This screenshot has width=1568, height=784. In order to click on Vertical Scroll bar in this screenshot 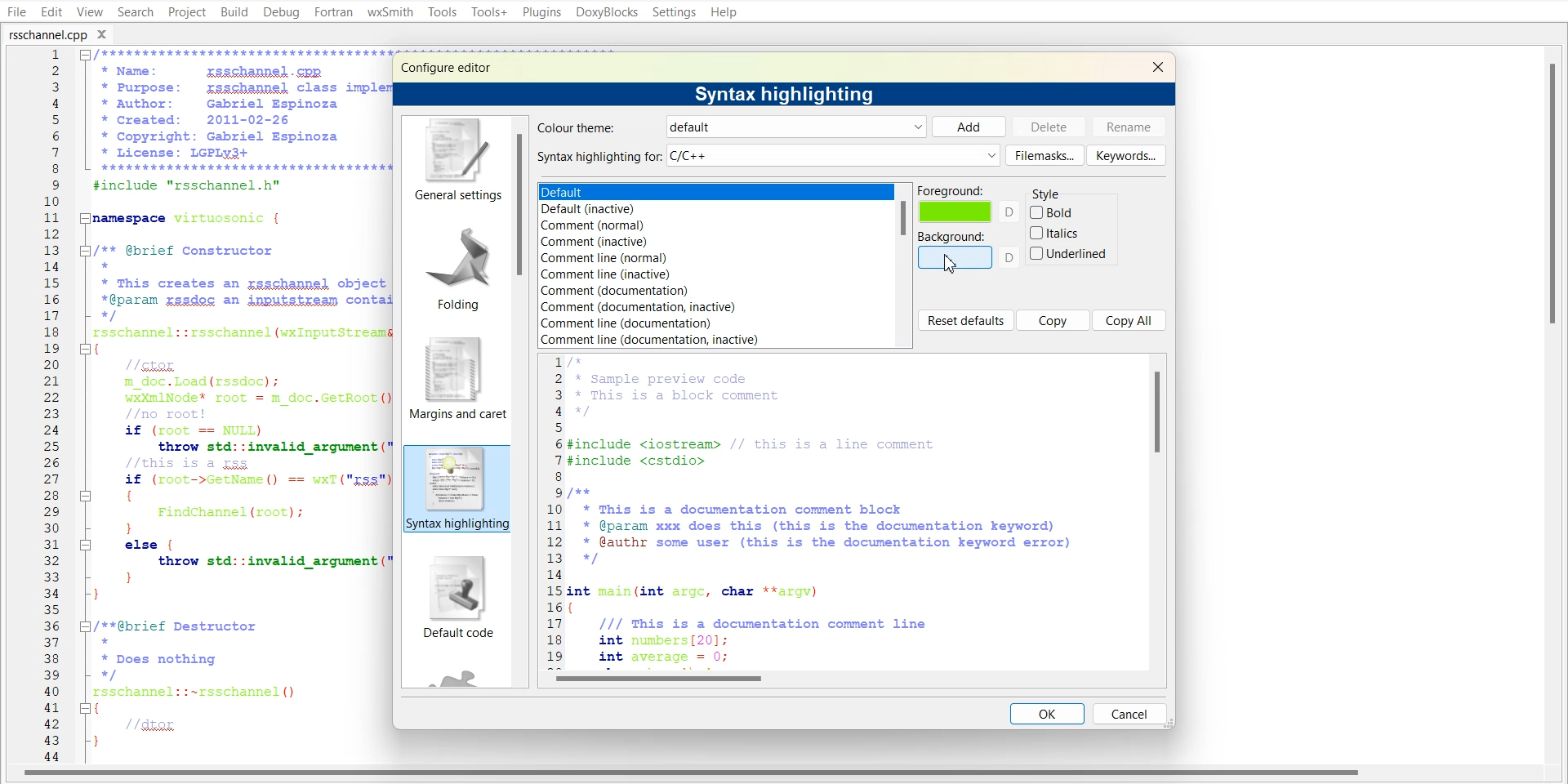, I will do `click(1558, 405)`.